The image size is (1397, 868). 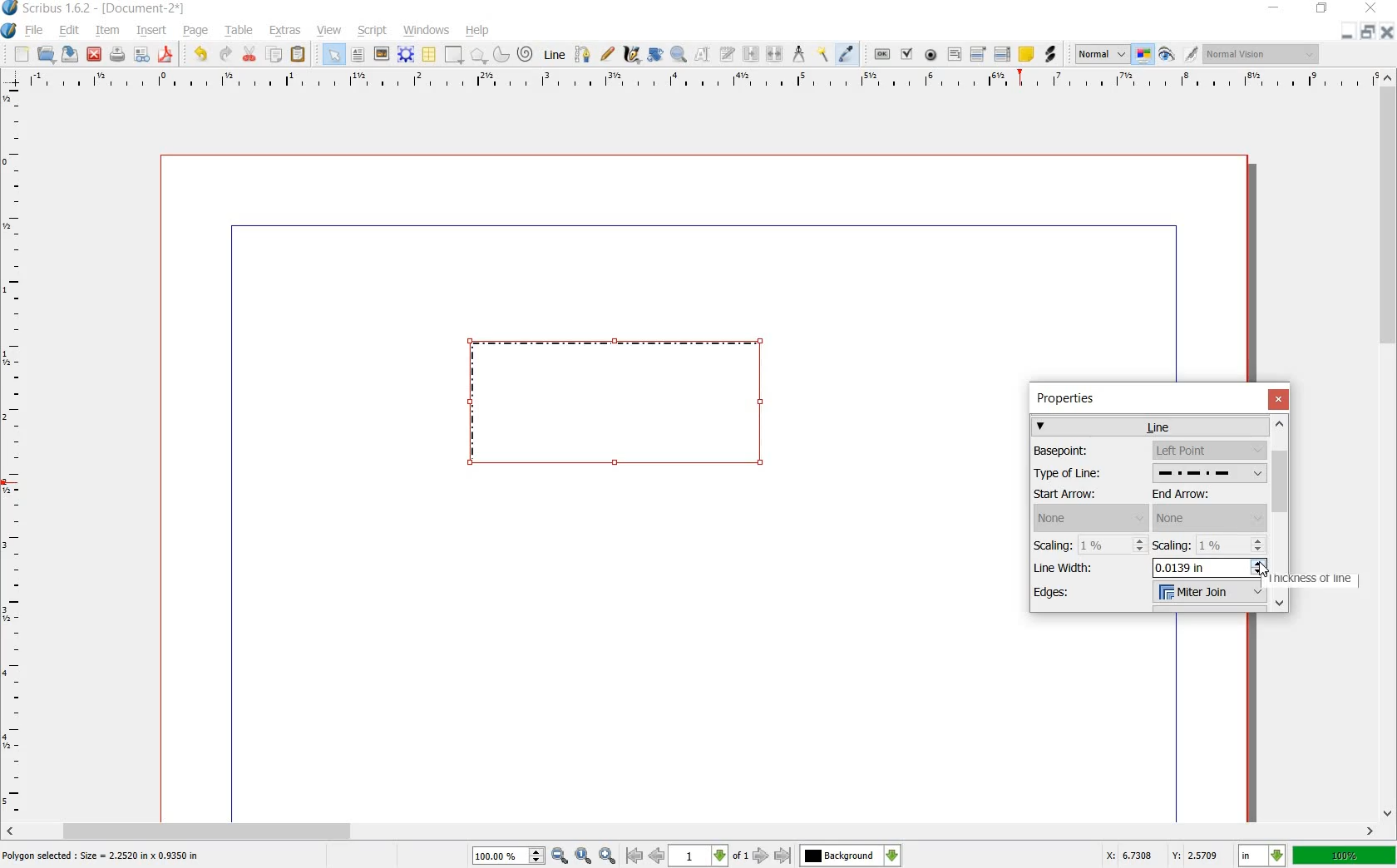 I want to click on SYSTEM LOGO, so click(x=10, y=29).